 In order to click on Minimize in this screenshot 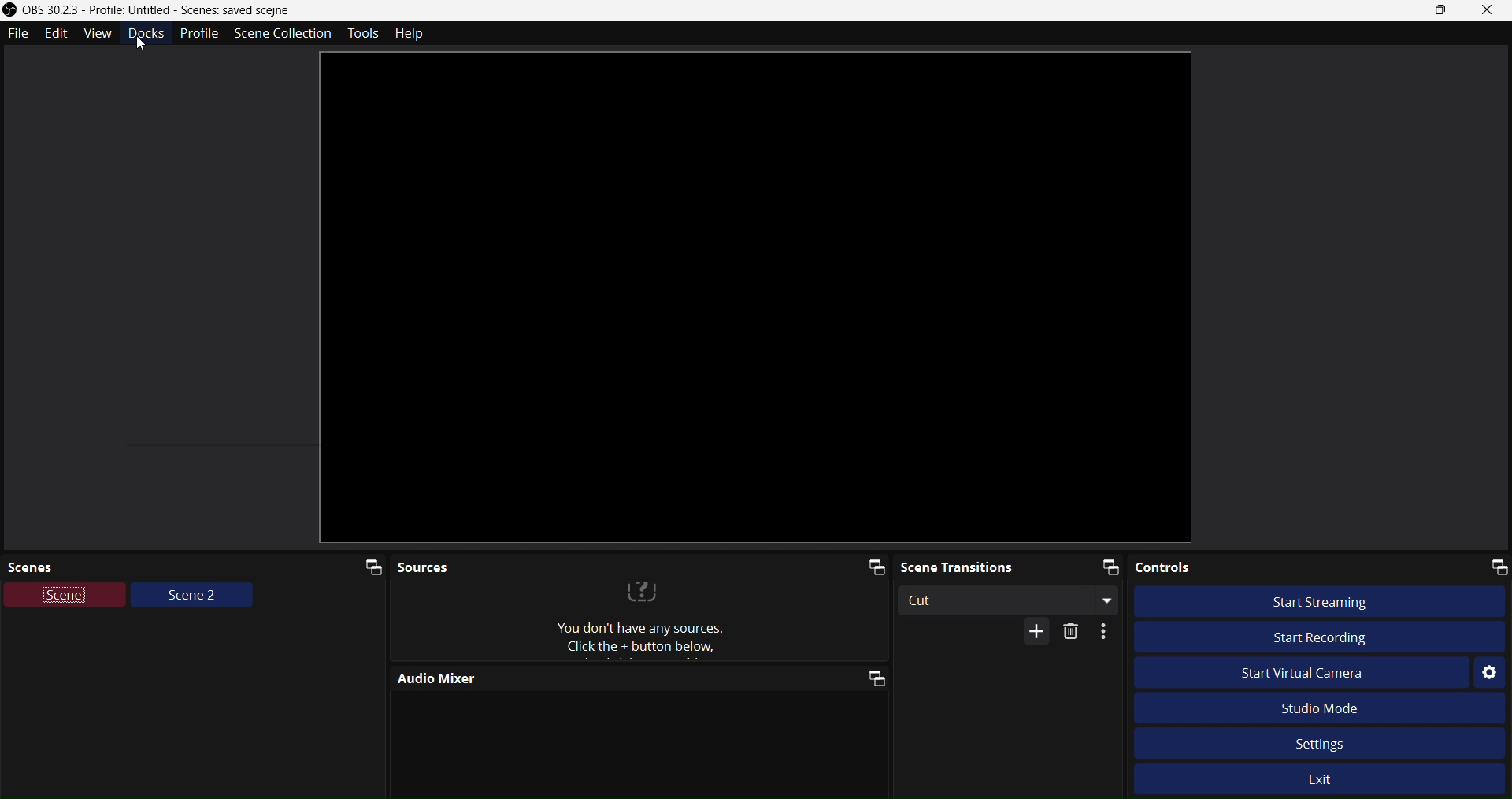, I will do `click(1396, 9)`.